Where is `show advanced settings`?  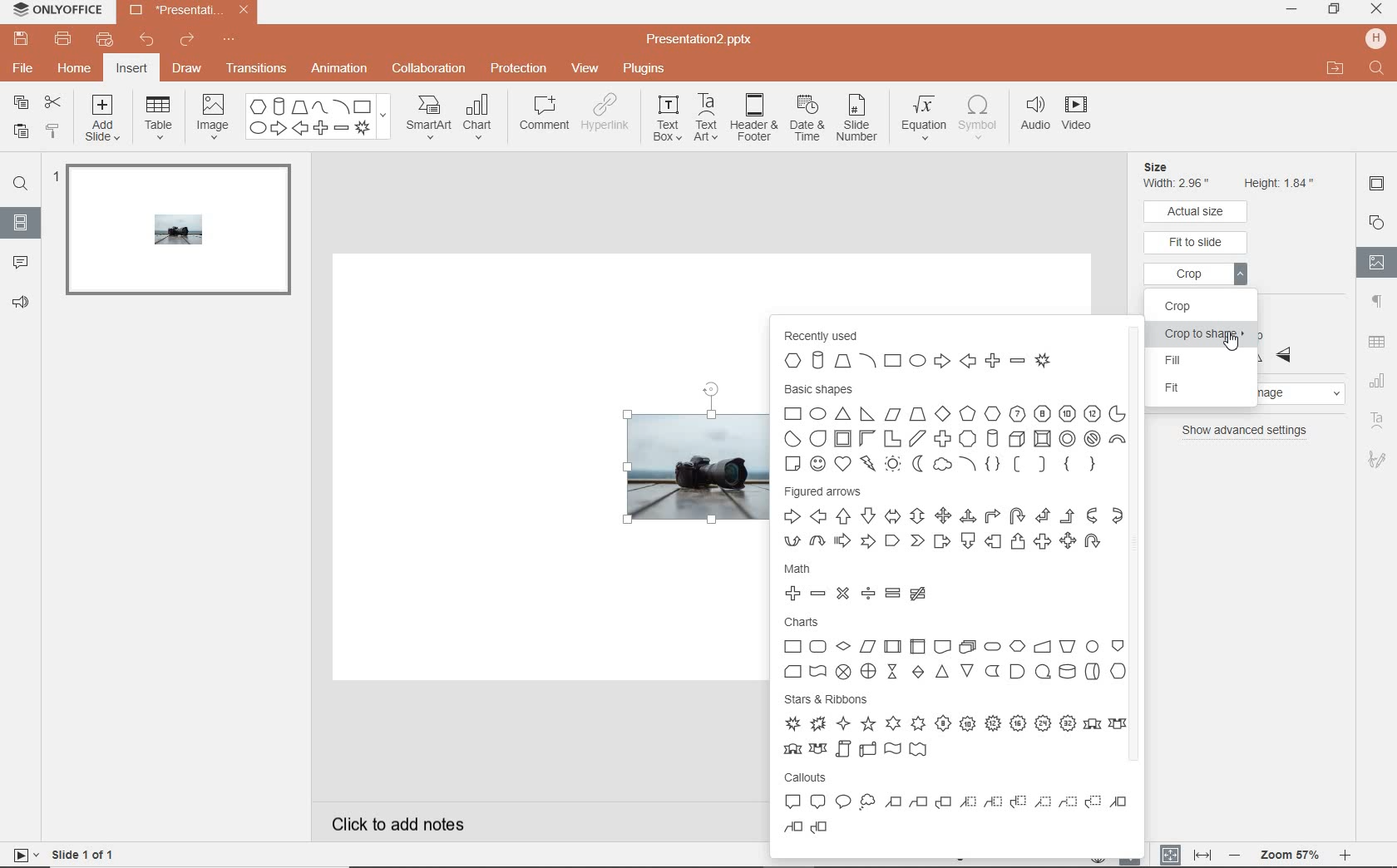
show advanced settings is located at coordinates (1246, 431).